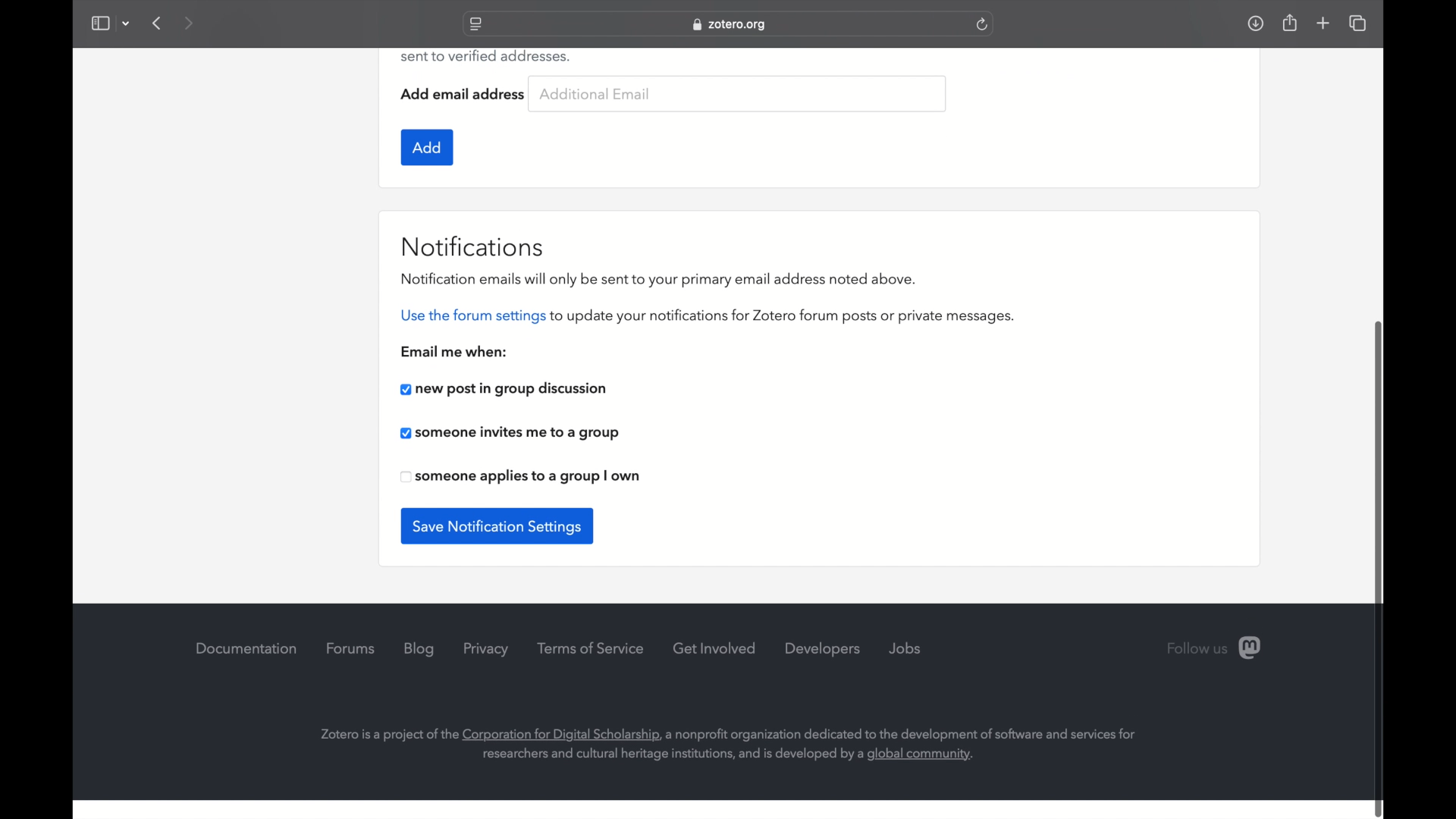 The width and height of the screenshot is (1456, 819). Describe the element at coordinates (475, 25) in the screenshot. I see `website settings` at that location.